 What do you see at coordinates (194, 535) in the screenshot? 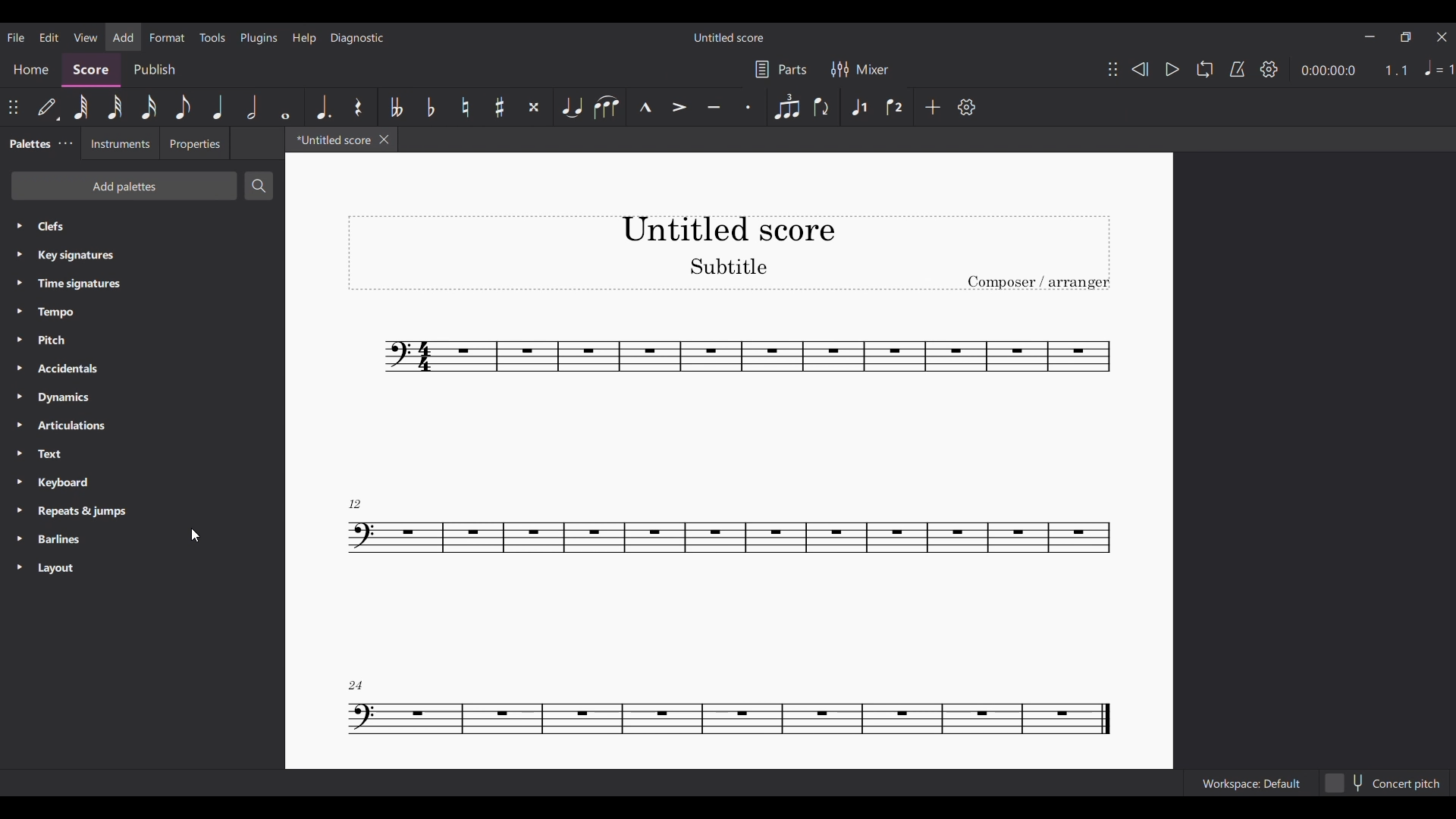
I see `Cursor` at bounding box center [194, 535].